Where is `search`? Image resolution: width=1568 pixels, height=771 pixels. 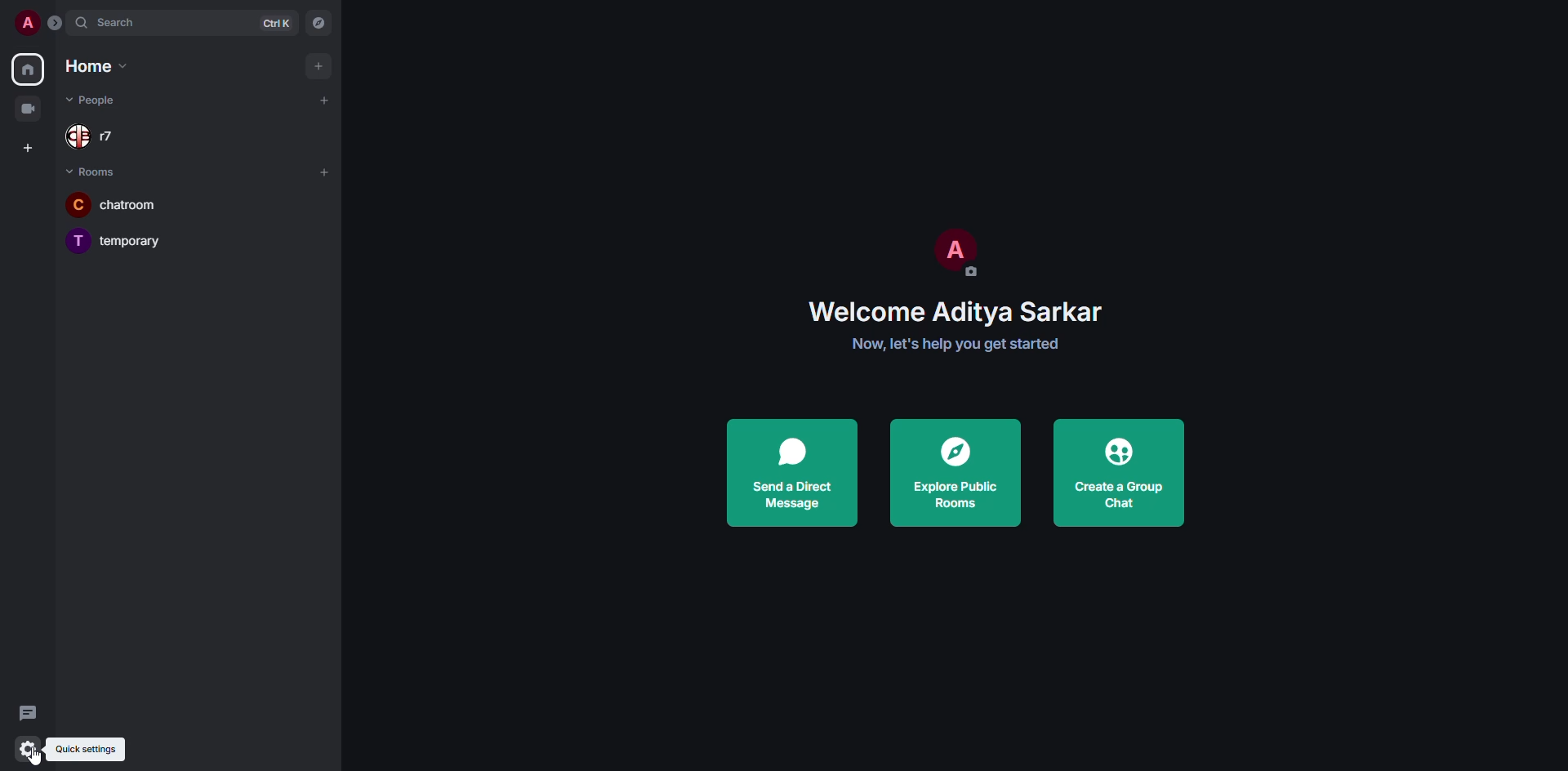 search is located at coordinates (120, 23).